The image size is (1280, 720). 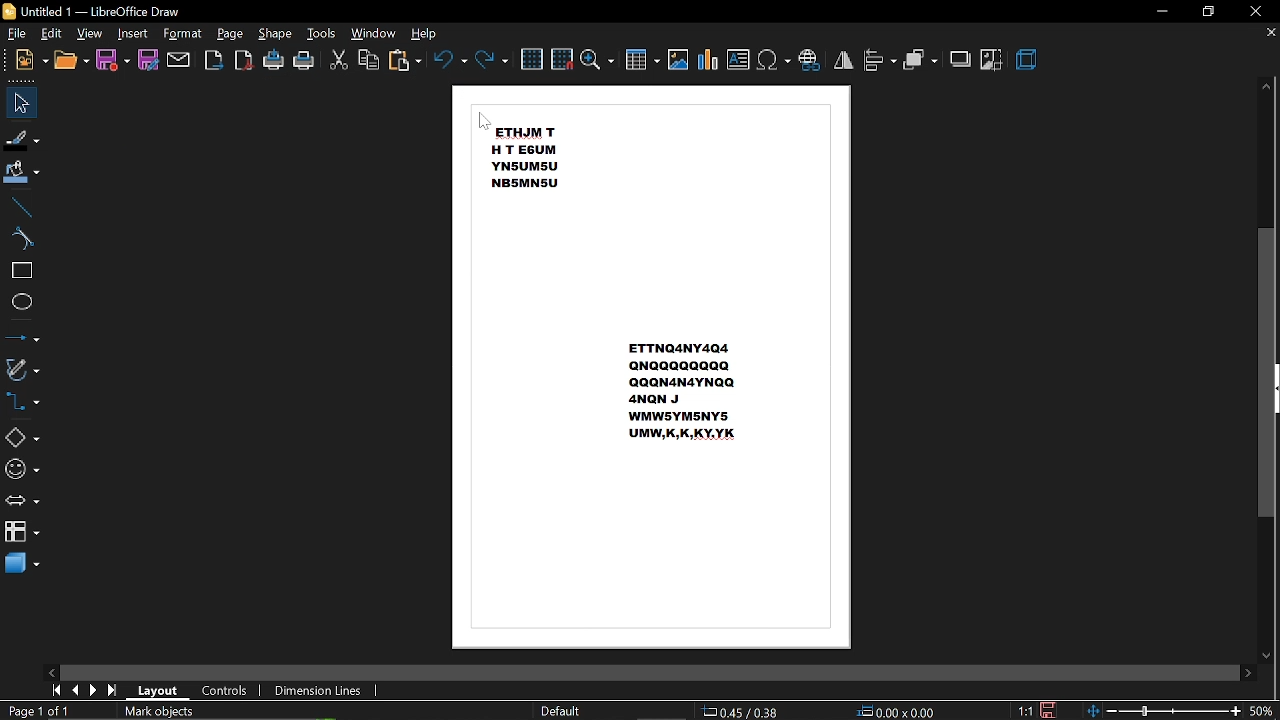 What do you see at coordinates (305, 61) in the screenshot?
I see `print` at bounding box center [305, 61].